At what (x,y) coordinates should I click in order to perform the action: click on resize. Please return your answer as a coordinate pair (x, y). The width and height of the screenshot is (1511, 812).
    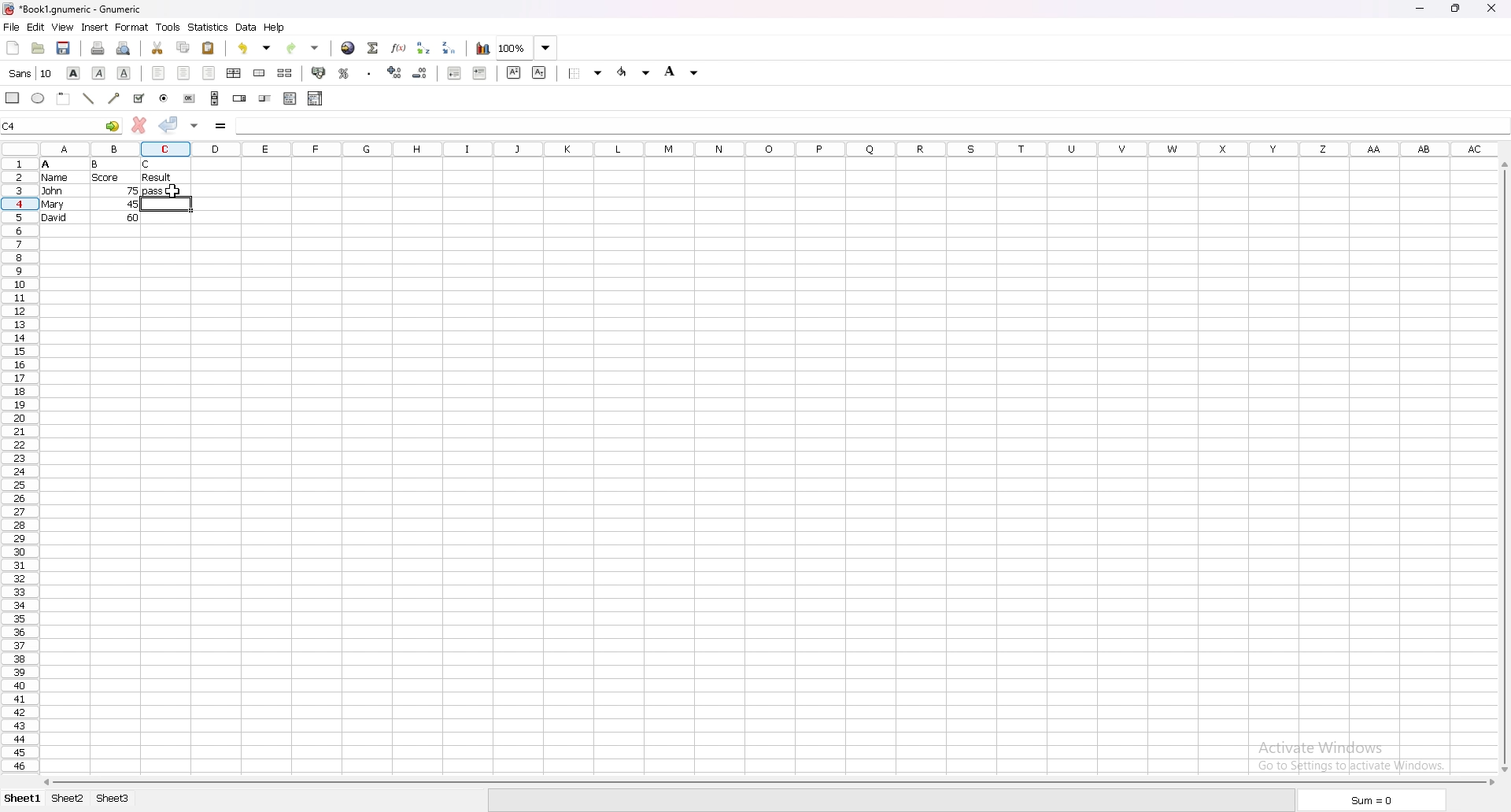
    Looking at the image, I should click on (1459, 9).